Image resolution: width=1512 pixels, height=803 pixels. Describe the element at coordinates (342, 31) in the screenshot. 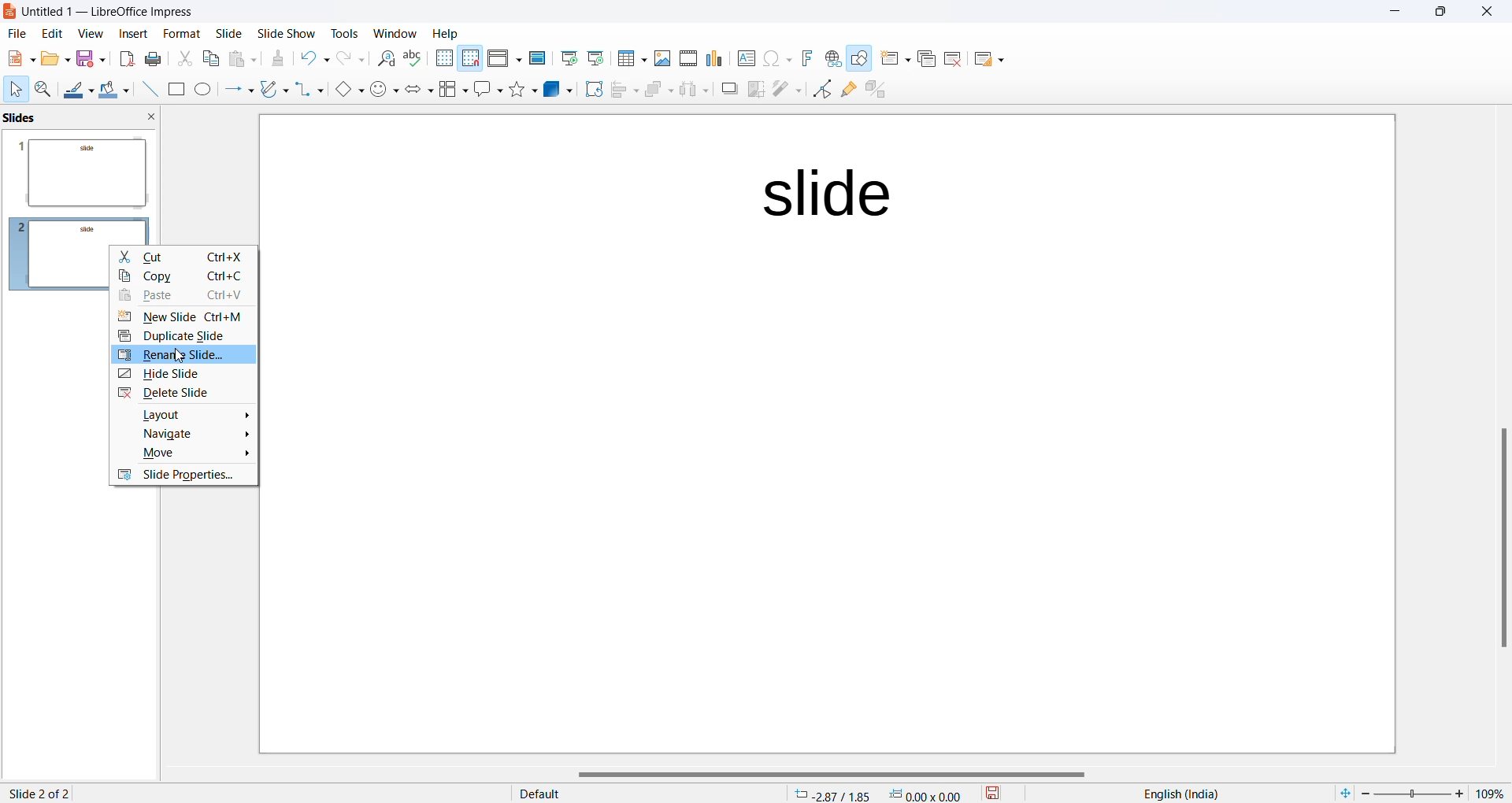

I see `Tools` at that location.